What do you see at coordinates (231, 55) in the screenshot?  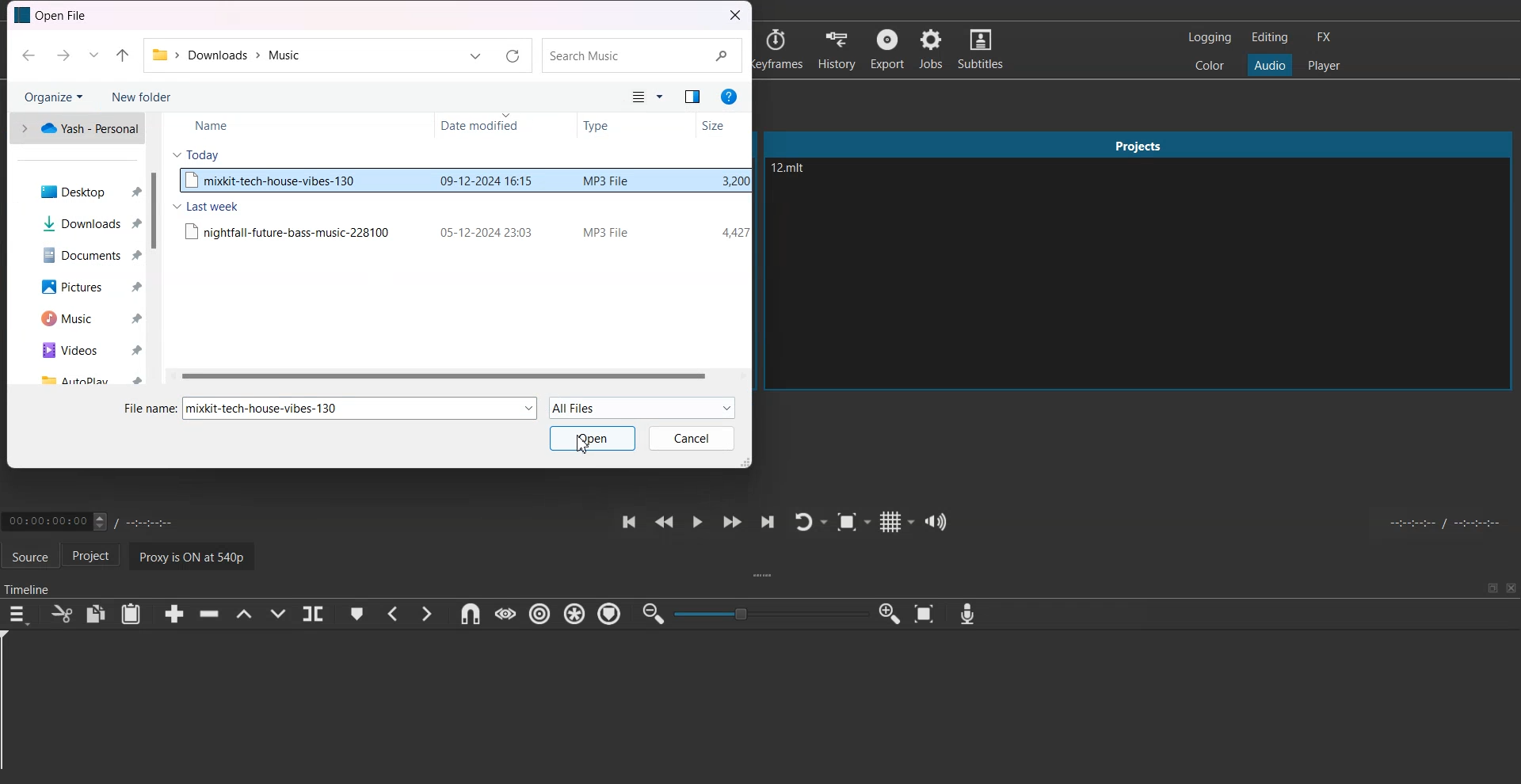 I see `File Path address` at bounding box center [231, 55].